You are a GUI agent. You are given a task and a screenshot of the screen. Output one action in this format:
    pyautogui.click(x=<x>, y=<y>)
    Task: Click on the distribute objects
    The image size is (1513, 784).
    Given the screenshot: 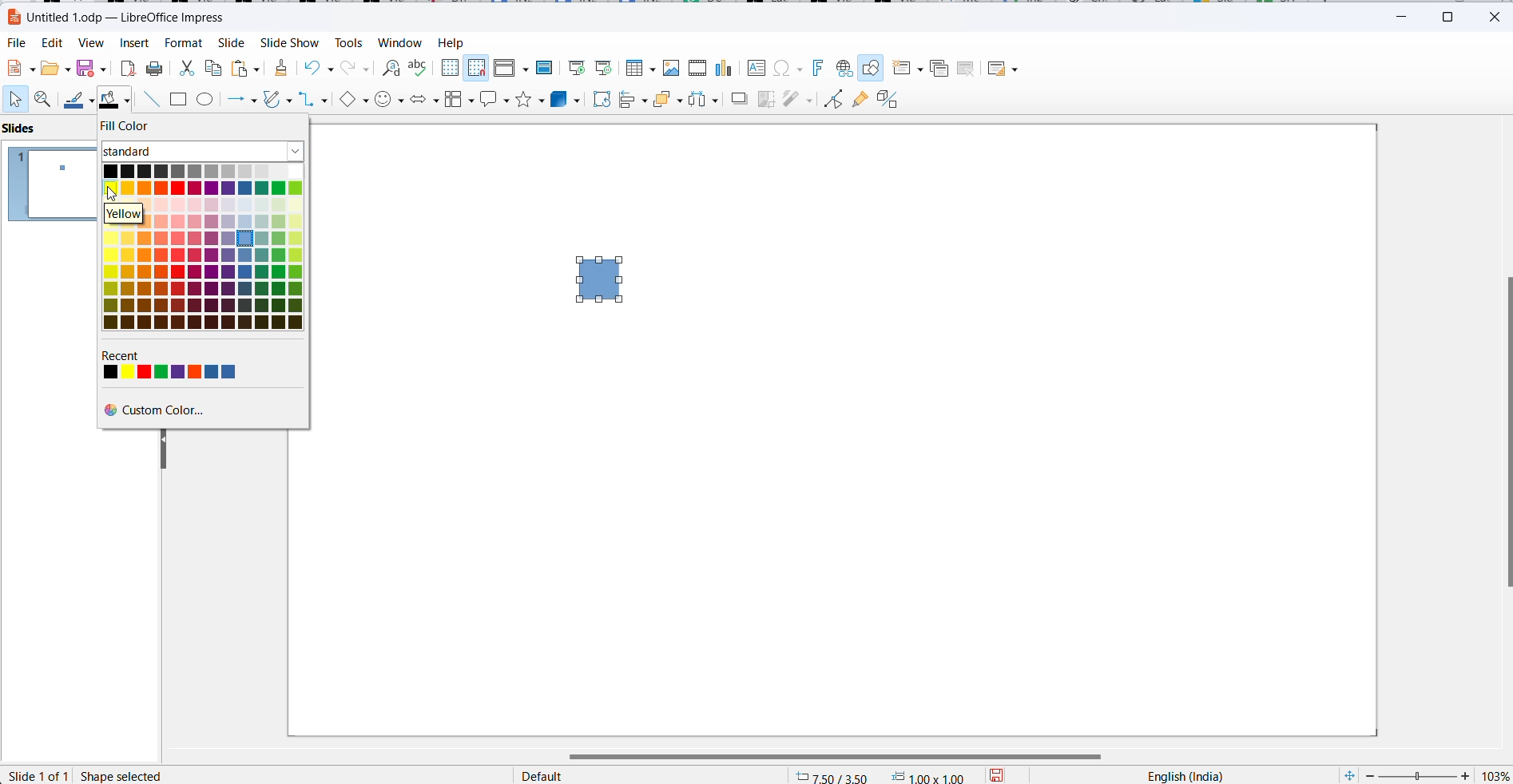 What is the action you would take?
    pyautogui.click(x=704, y=101)
    